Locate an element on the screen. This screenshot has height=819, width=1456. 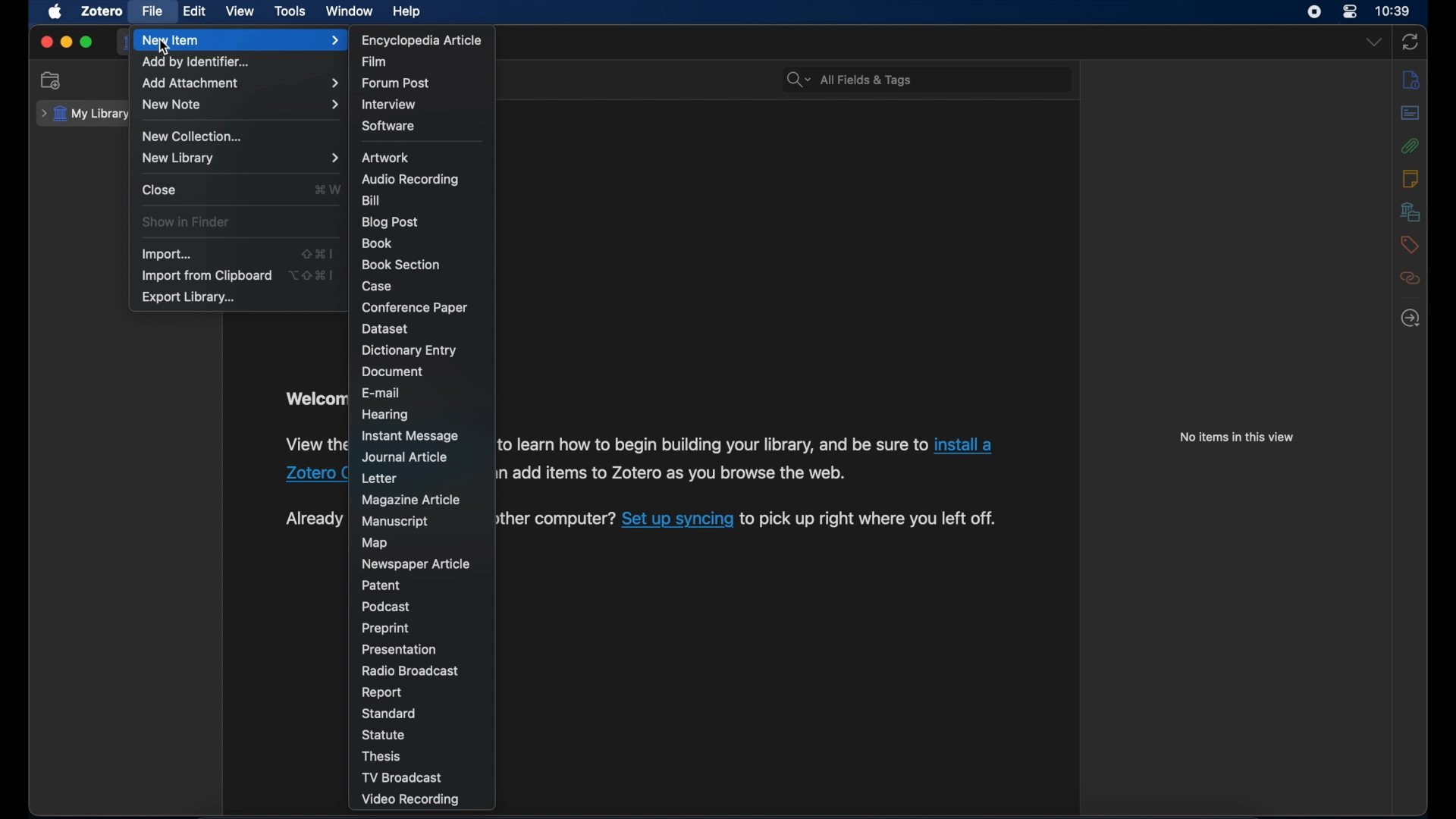
encyclopedia article is located at coordinates (422, 40).